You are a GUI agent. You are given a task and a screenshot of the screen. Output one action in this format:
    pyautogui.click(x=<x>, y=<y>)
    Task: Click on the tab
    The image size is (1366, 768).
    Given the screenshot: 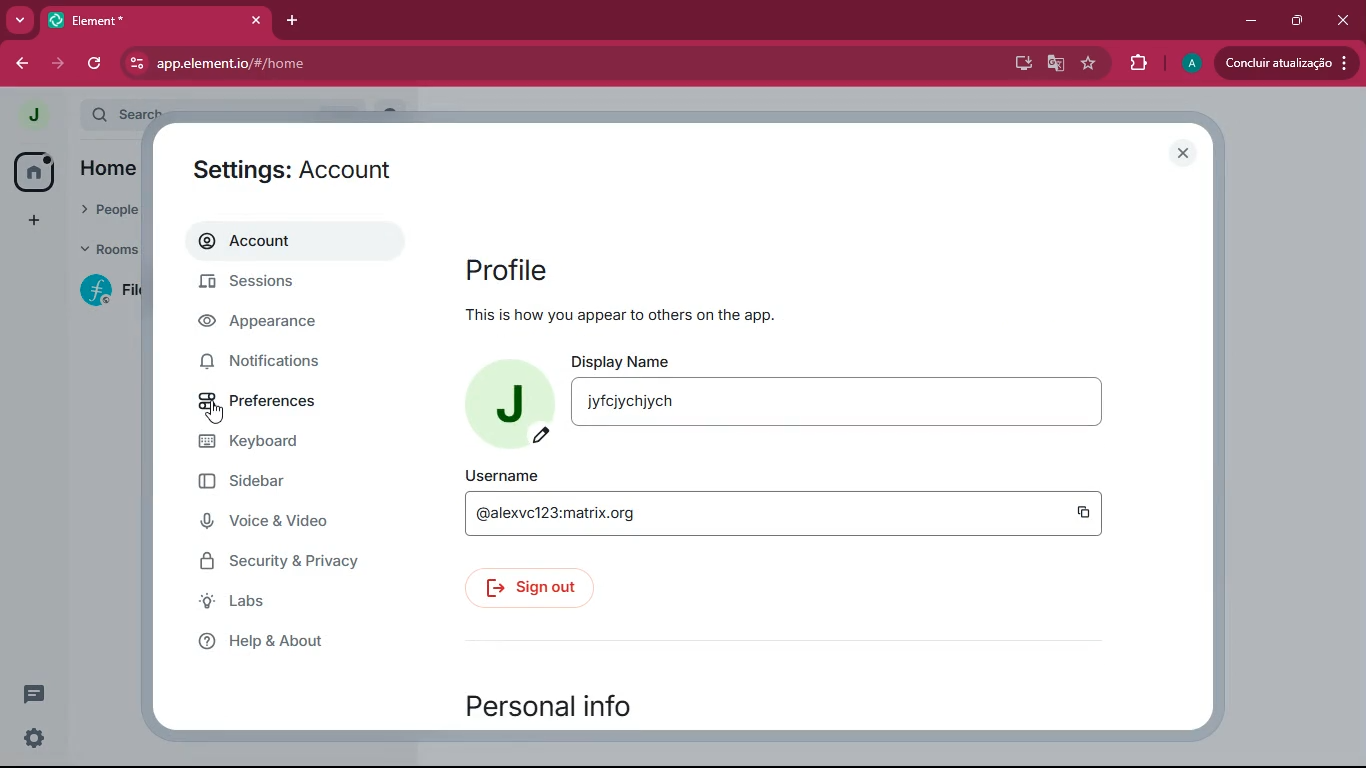 What is the action you would take?
    pyautogui.click(x=99, y=20)
    